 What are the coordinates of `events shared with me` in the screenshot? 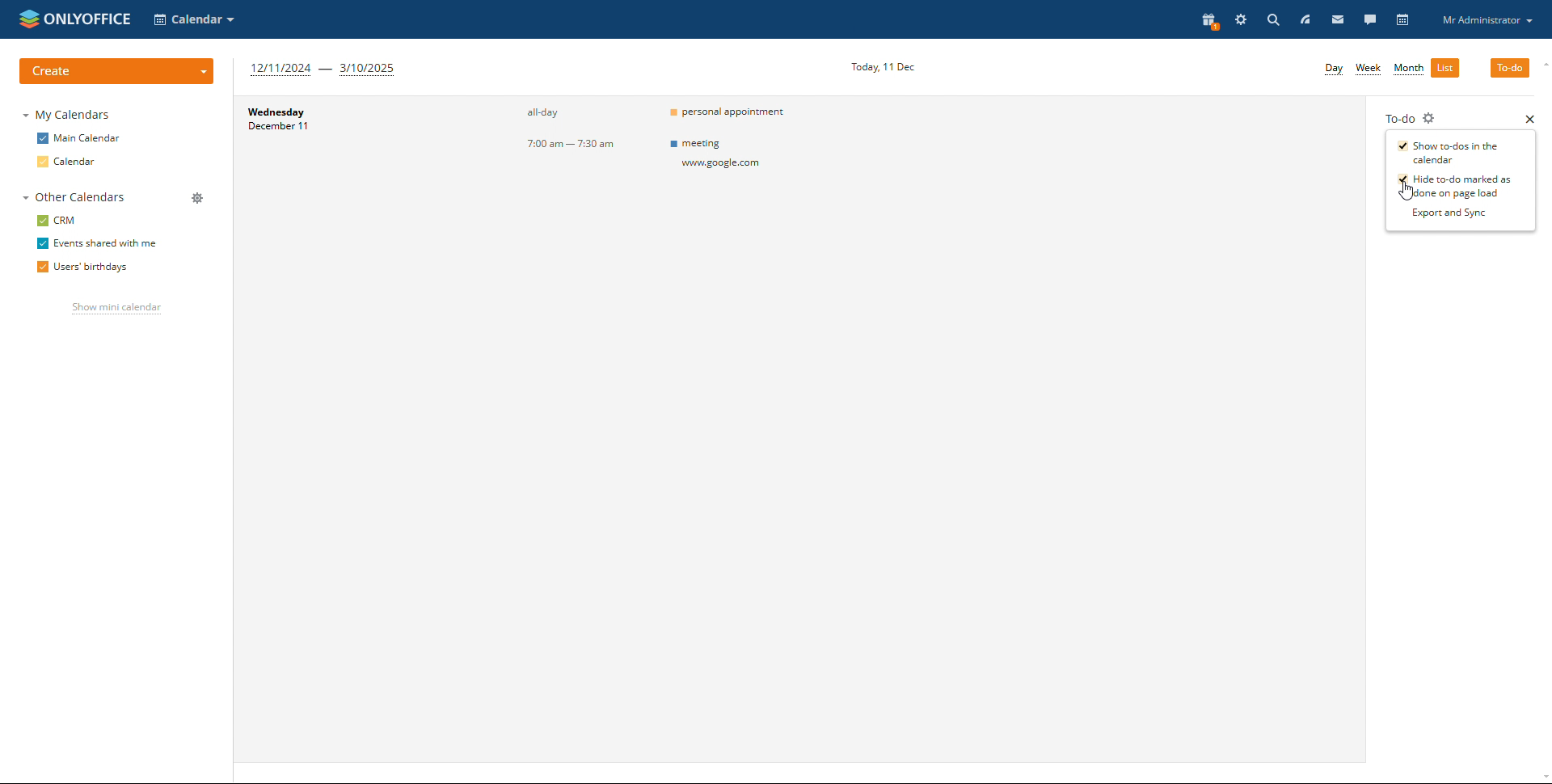 It's located at (96, 242).